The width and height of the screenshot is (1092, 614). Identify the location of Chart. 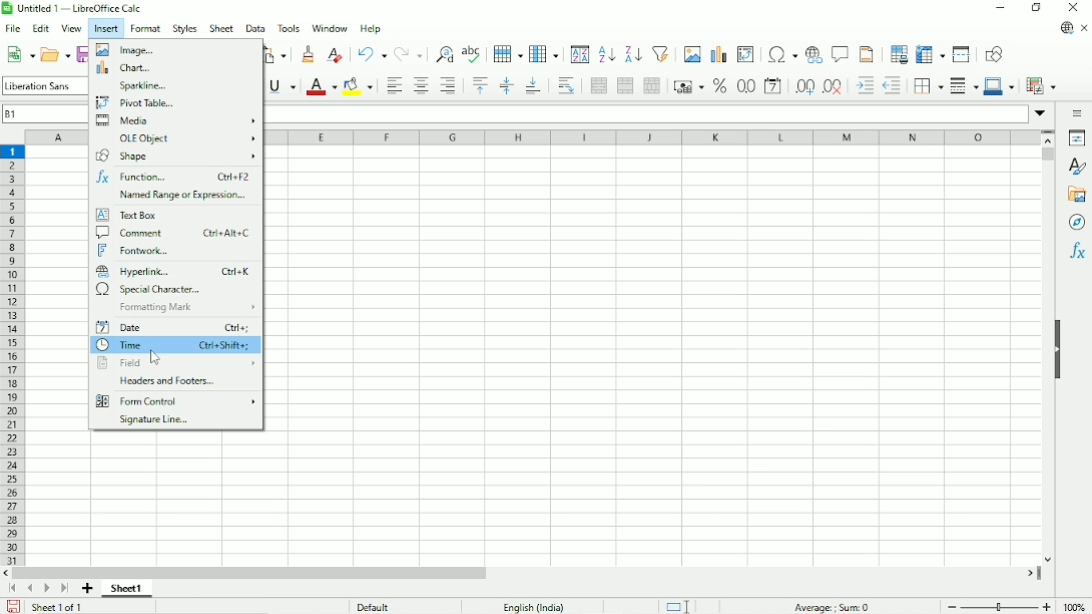
(128, 69).